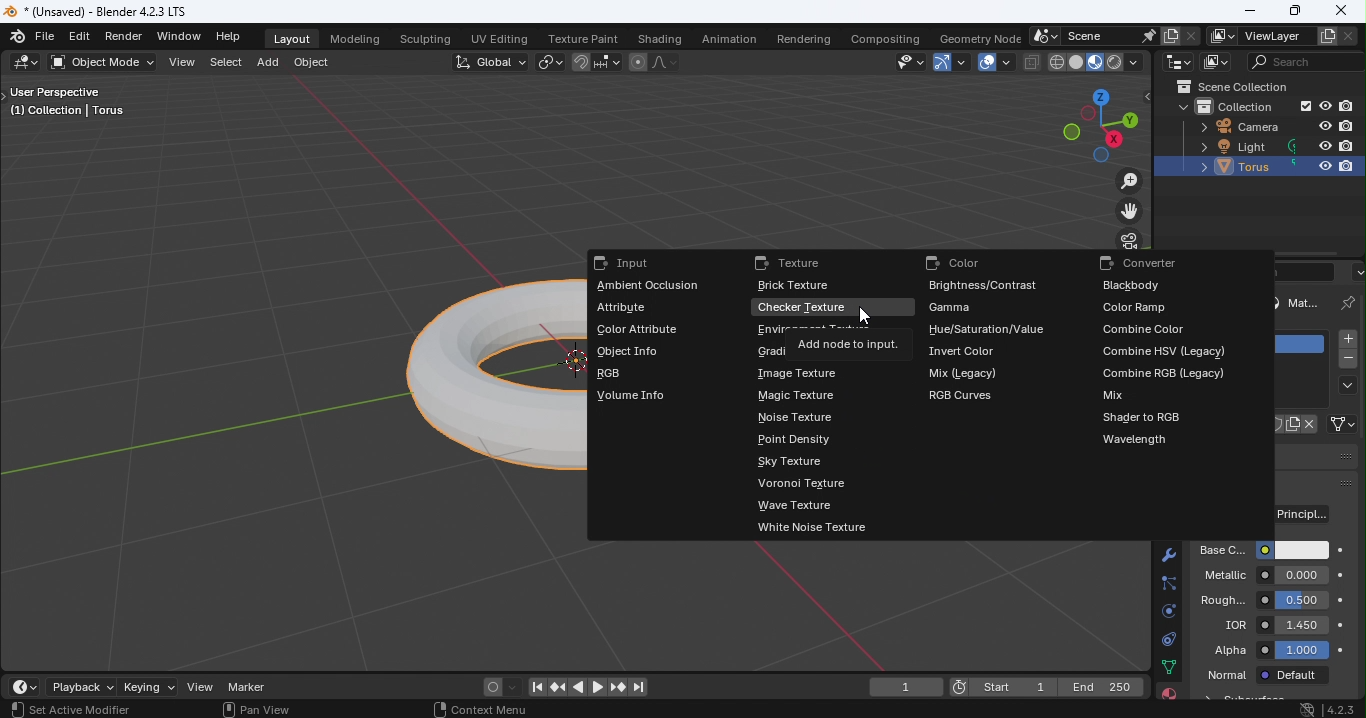  I want to click on Toggle the camera view, so click(1133, 241).